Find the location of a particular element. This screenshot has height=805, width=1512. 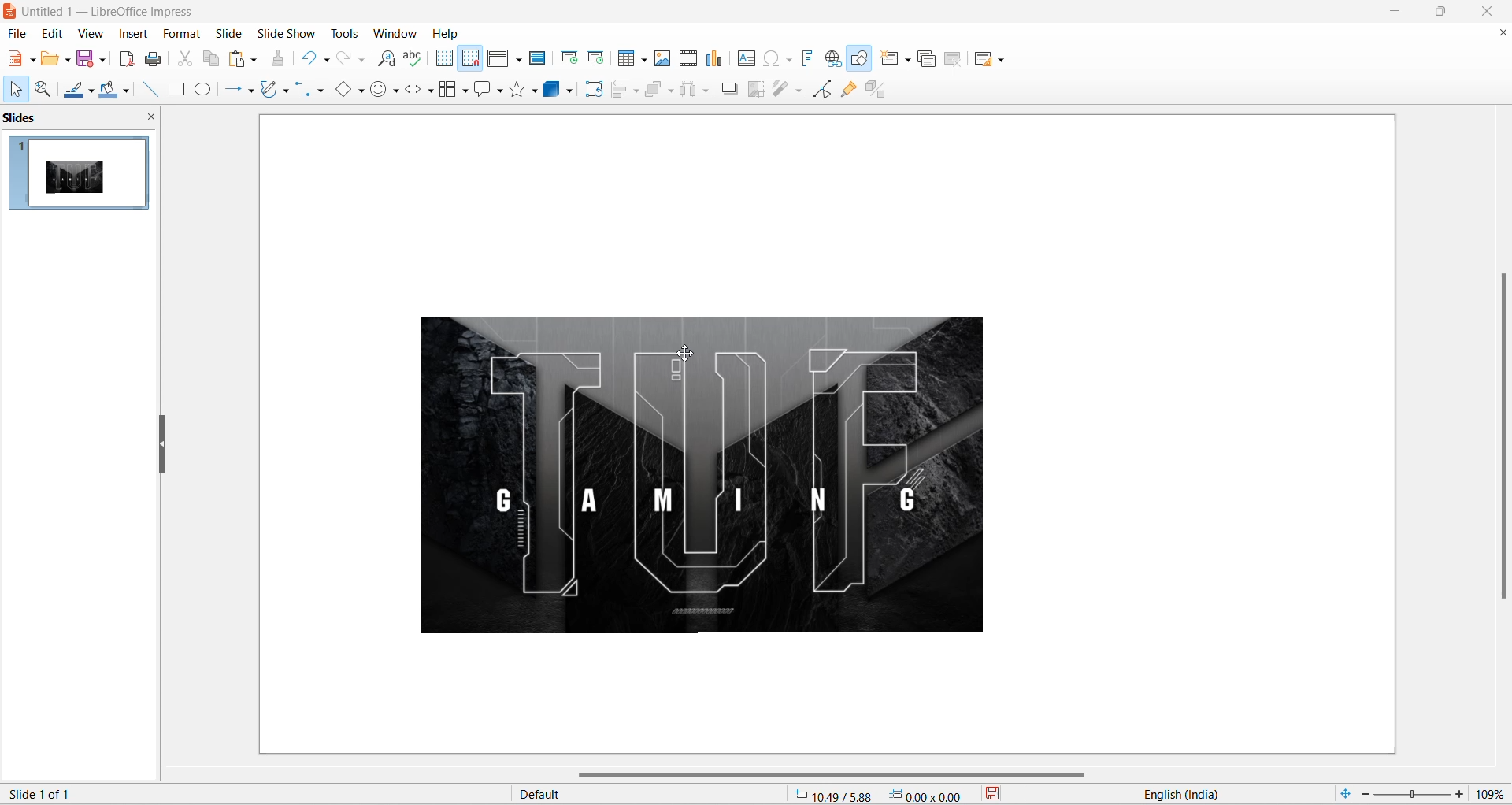

shadow is located at coordinates (730, 88).